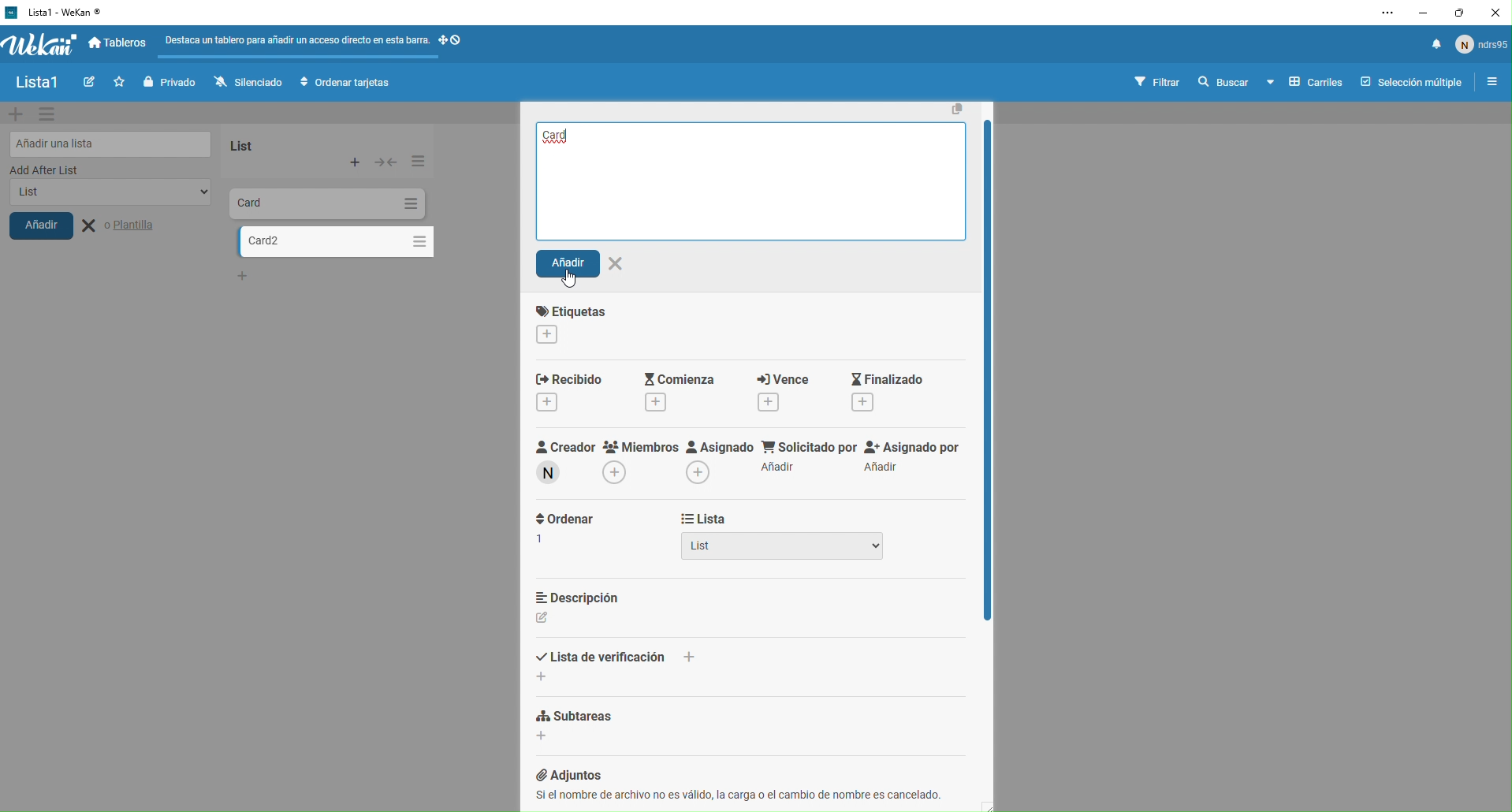  Describe the element at coordinates (415, 239) in the screenshot. I see `Options` at that location.